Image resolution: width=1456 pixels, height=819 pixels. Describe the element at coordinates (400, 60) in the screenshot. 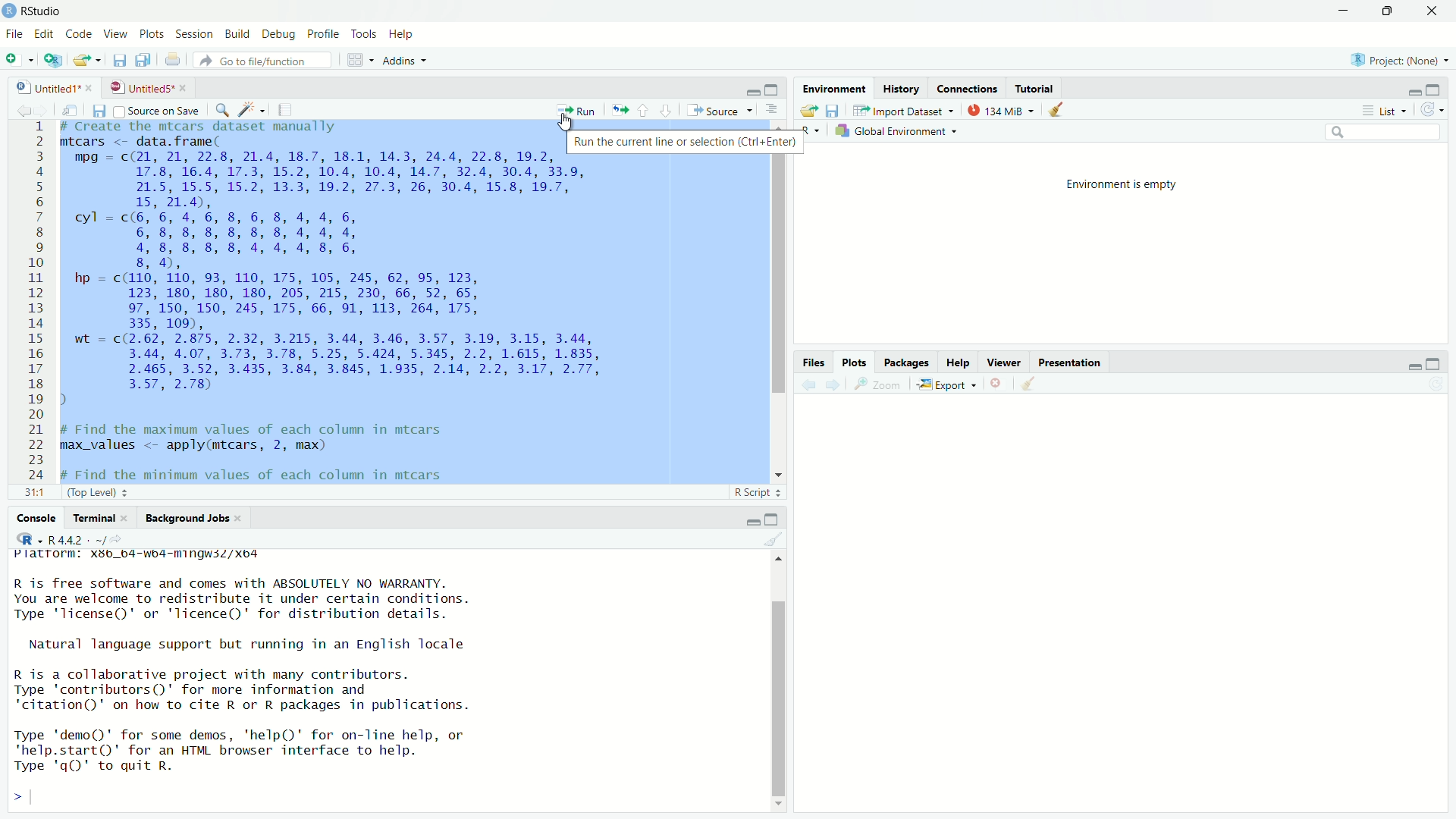

I see `+ Addins +` at that location.